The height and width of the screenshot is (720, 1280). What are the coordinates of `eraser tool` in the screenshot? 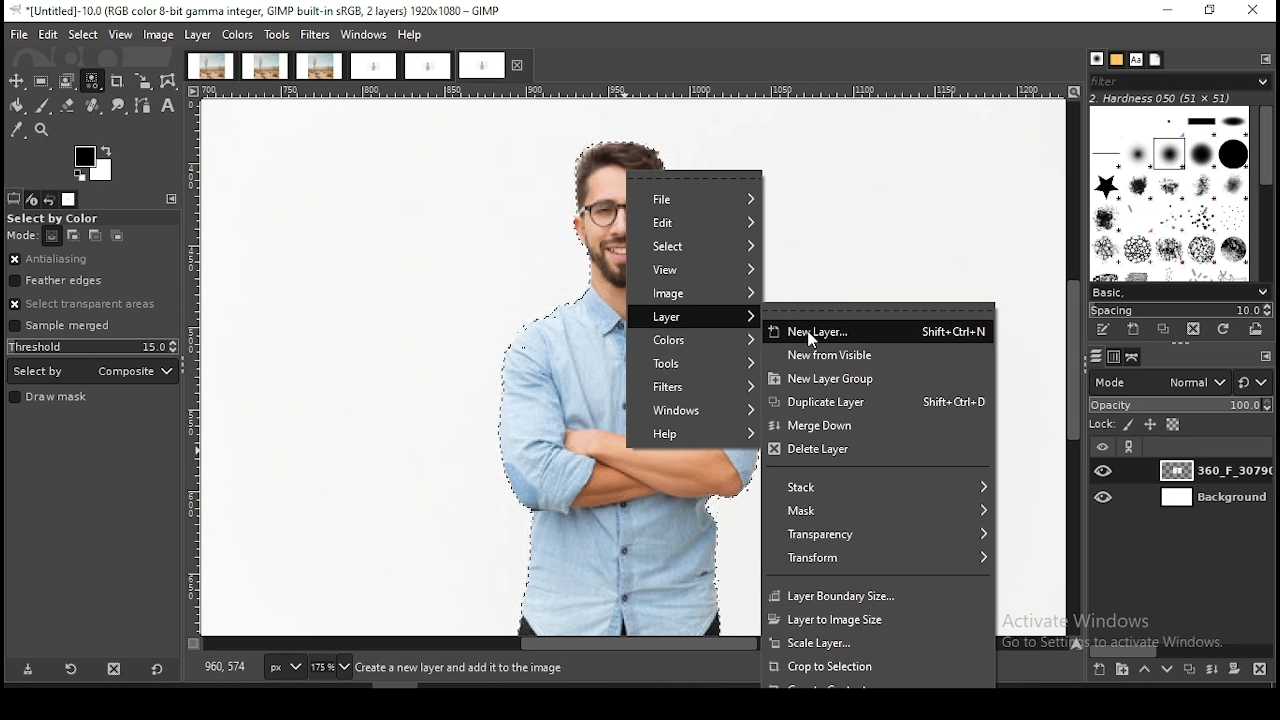 It's located at (68, 105).